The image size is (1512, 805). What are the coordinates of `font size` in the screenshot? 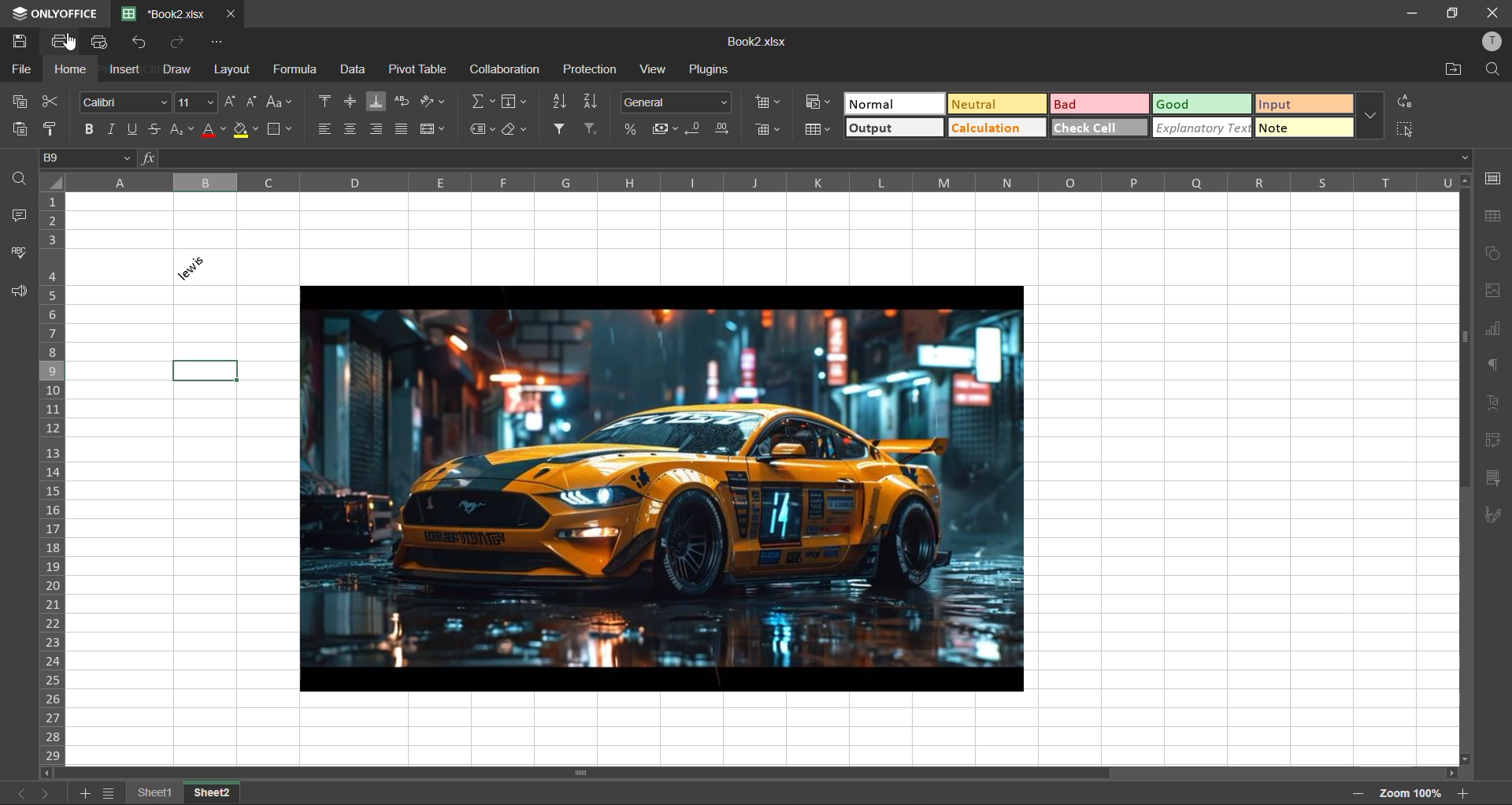 It's located at (198, 102).